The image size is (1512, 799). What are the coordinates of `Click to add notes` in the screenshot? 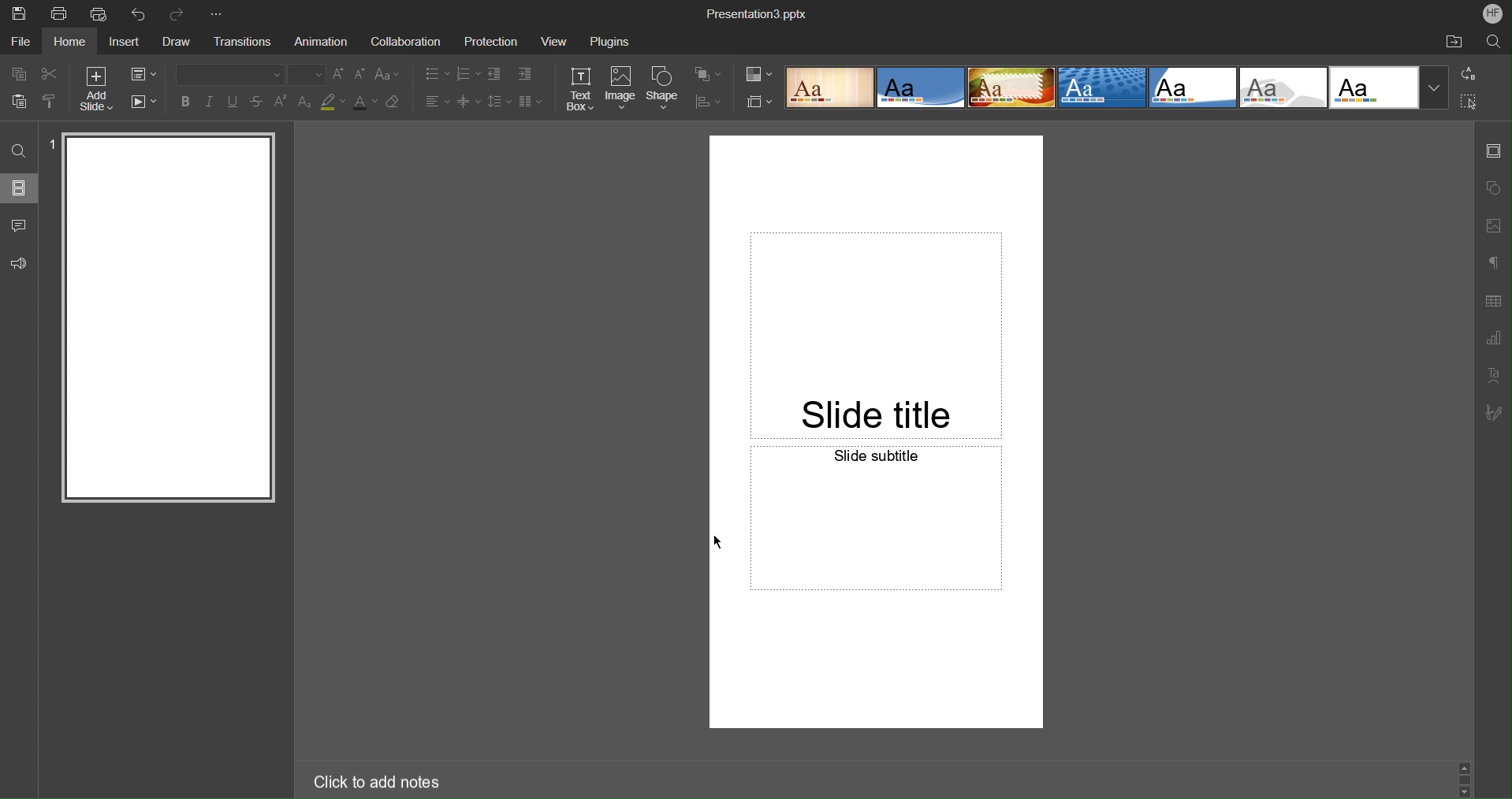 It's located at (370, 779).